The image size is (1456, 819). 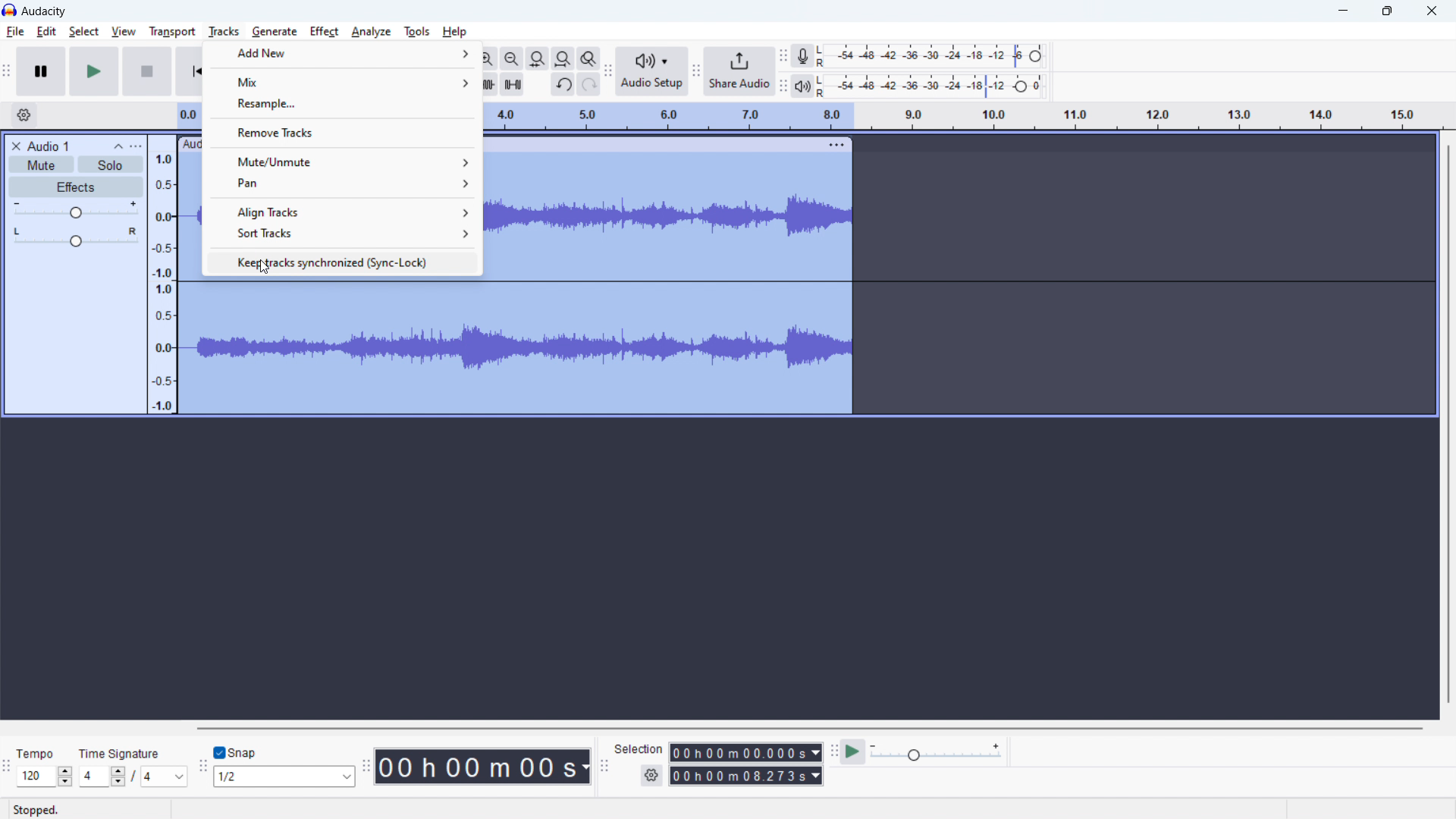 What do you see at coordinates (47, 32) in the screenshot?
I see `edit` at bounding box center [47, 32].